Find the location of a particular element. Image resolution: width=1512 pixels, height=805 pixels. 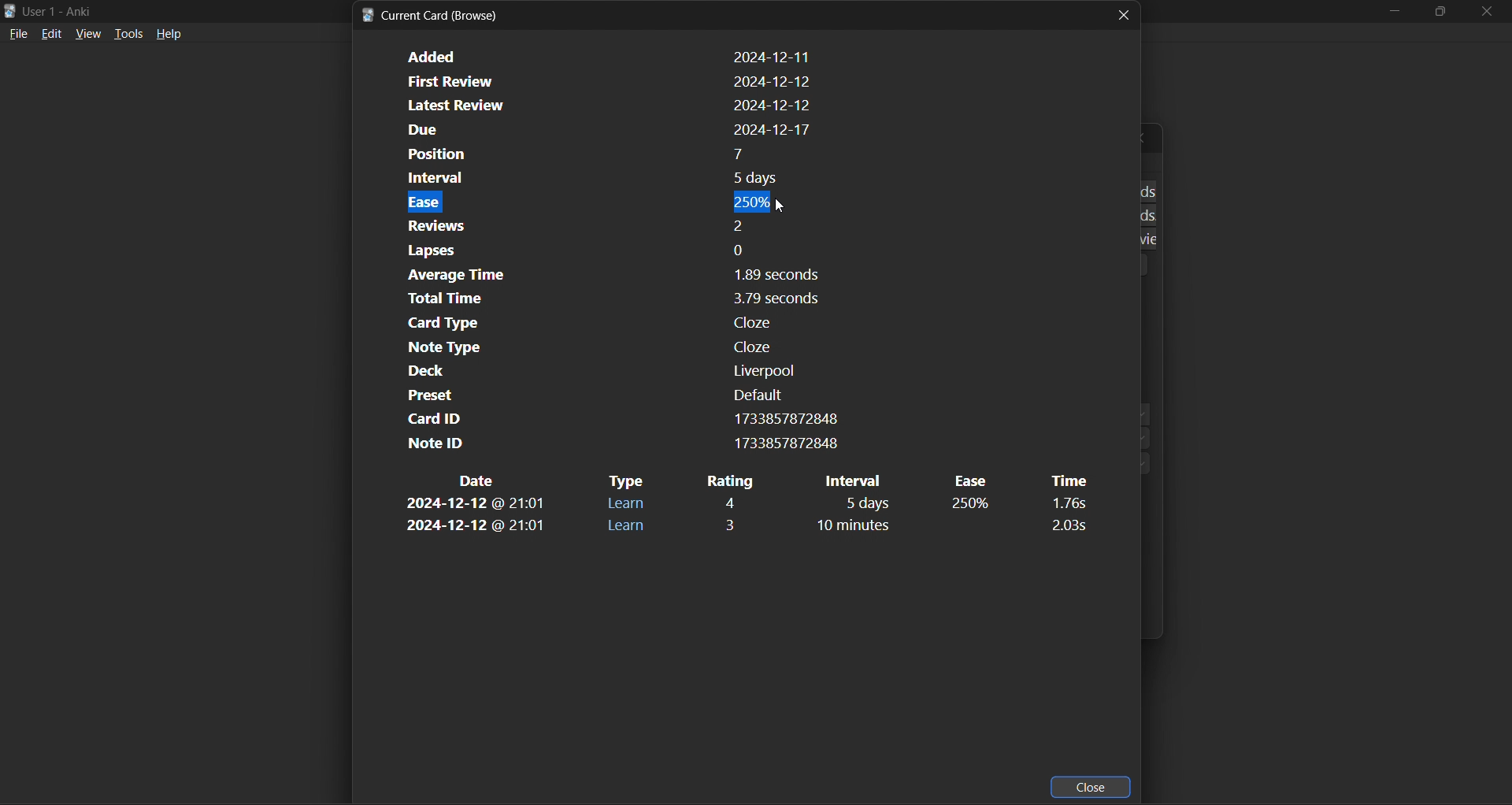

rating is located at coordinates (729, 480).